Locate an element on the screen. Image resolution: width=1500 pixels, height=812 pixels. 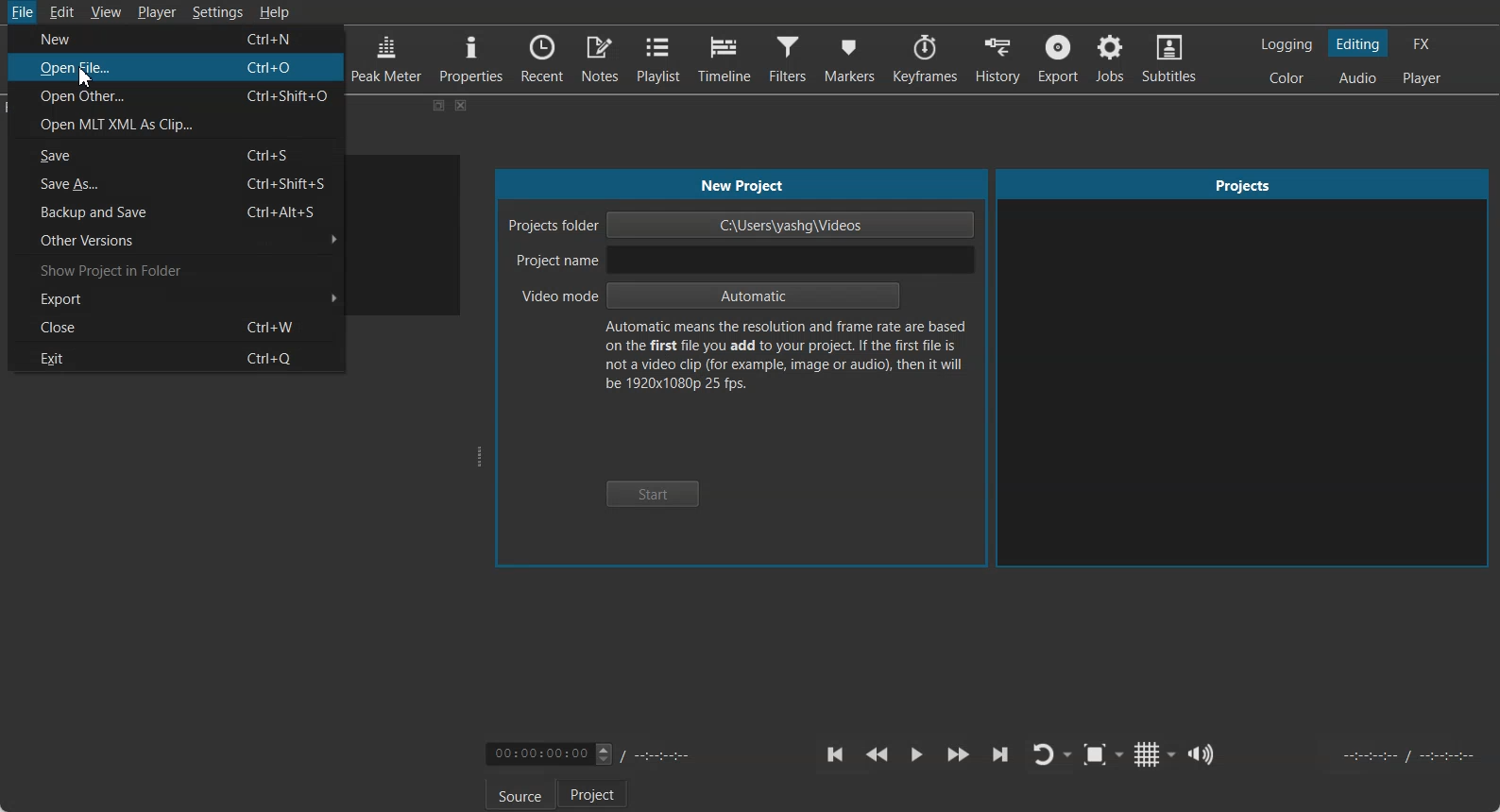
Play Quickly backward is located at coordinates (878, 754).